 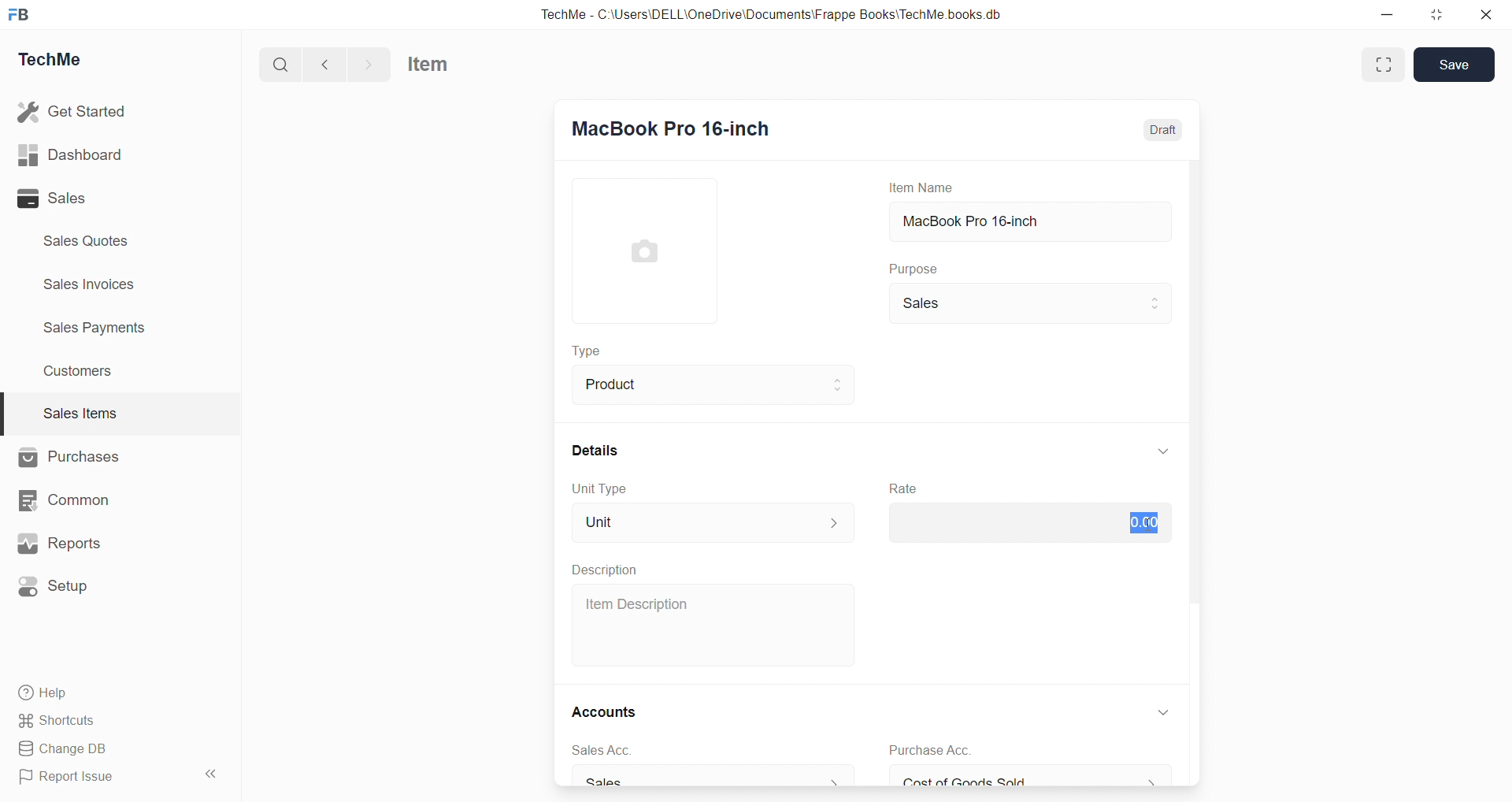 What do you see at coordinates (22, 14) in the screenshot?
I see `FB` at bounding box center [22, 14].